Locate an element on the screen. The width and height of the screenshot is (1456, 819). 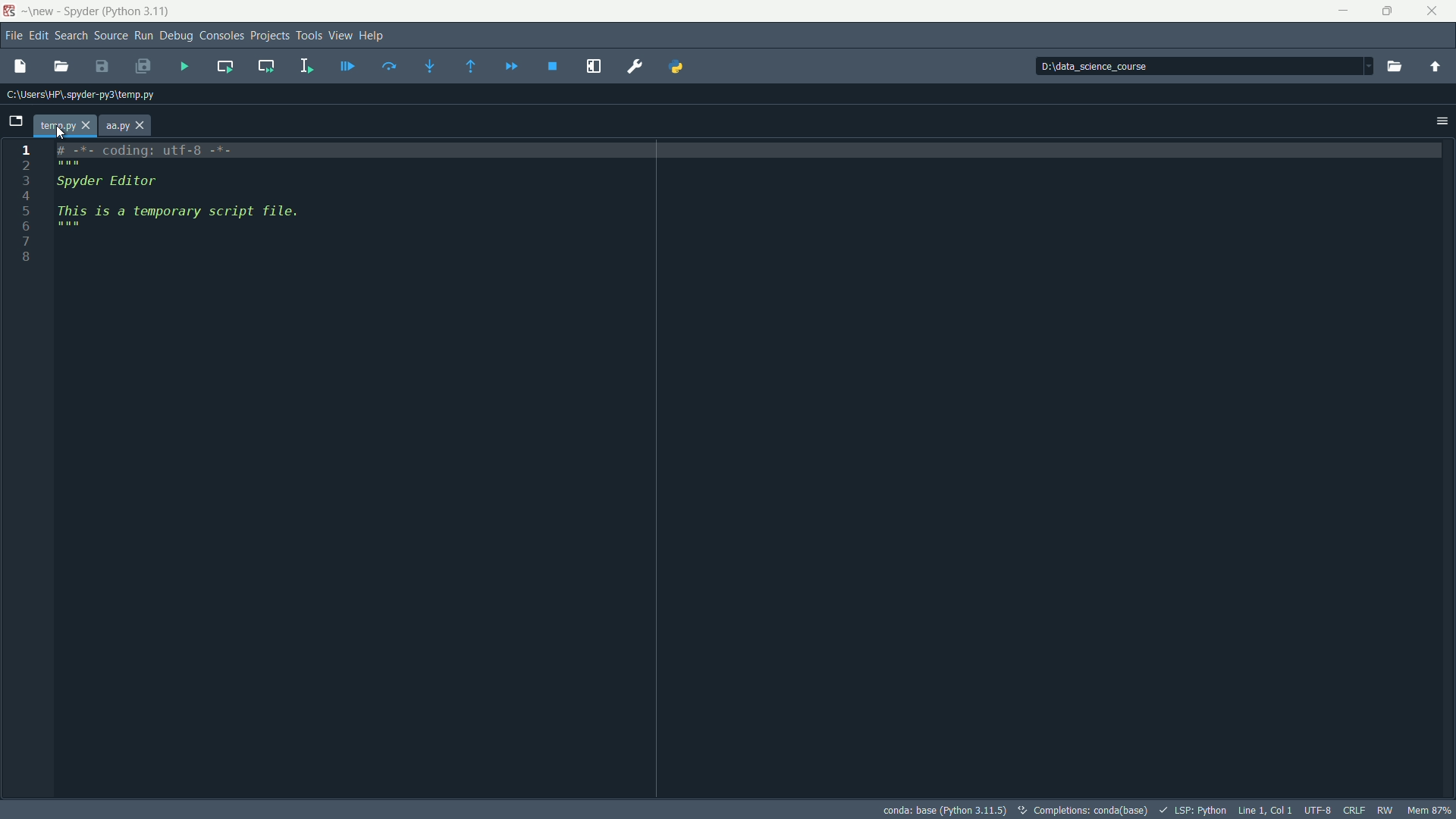
file name is located at coordinates (62, 127).